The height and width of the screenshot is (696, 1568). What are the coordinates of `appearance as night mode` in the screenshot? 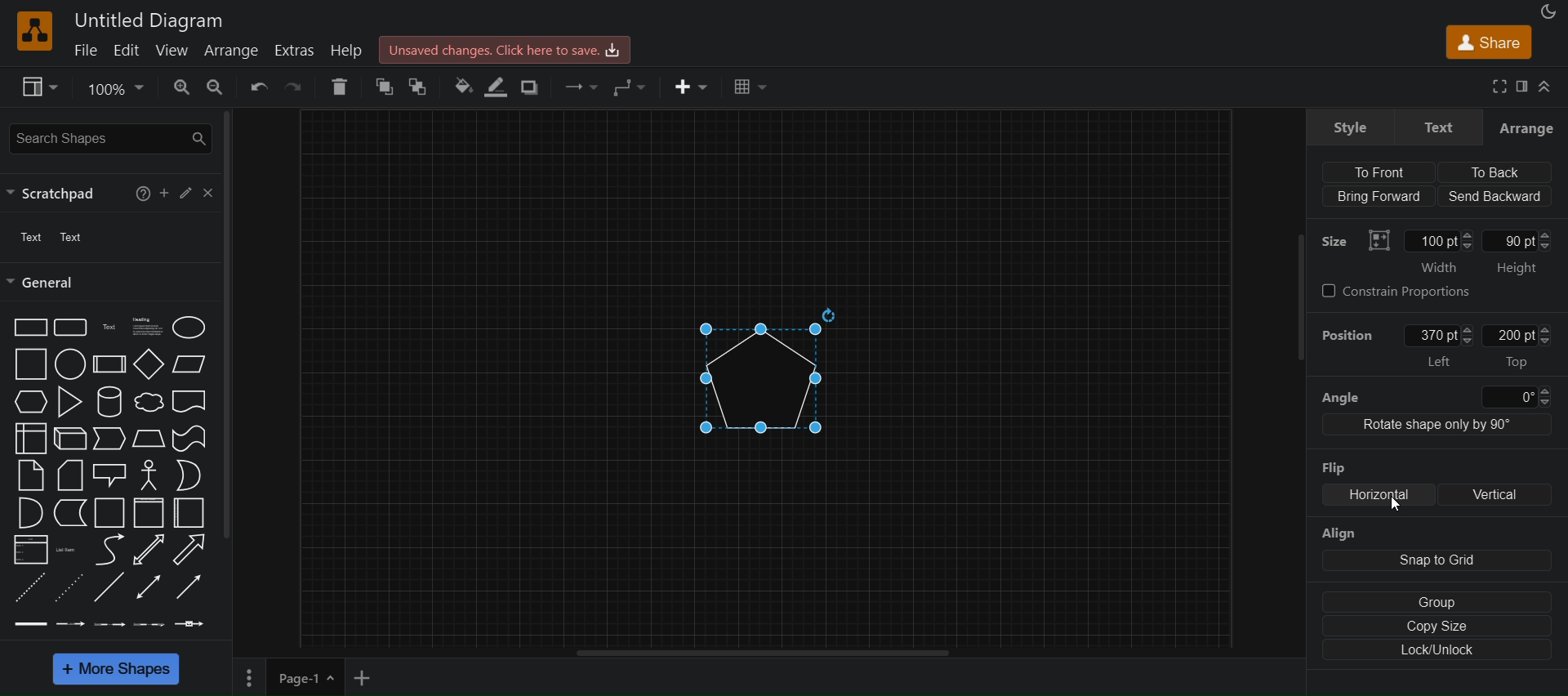 It's located at (1549, 11).